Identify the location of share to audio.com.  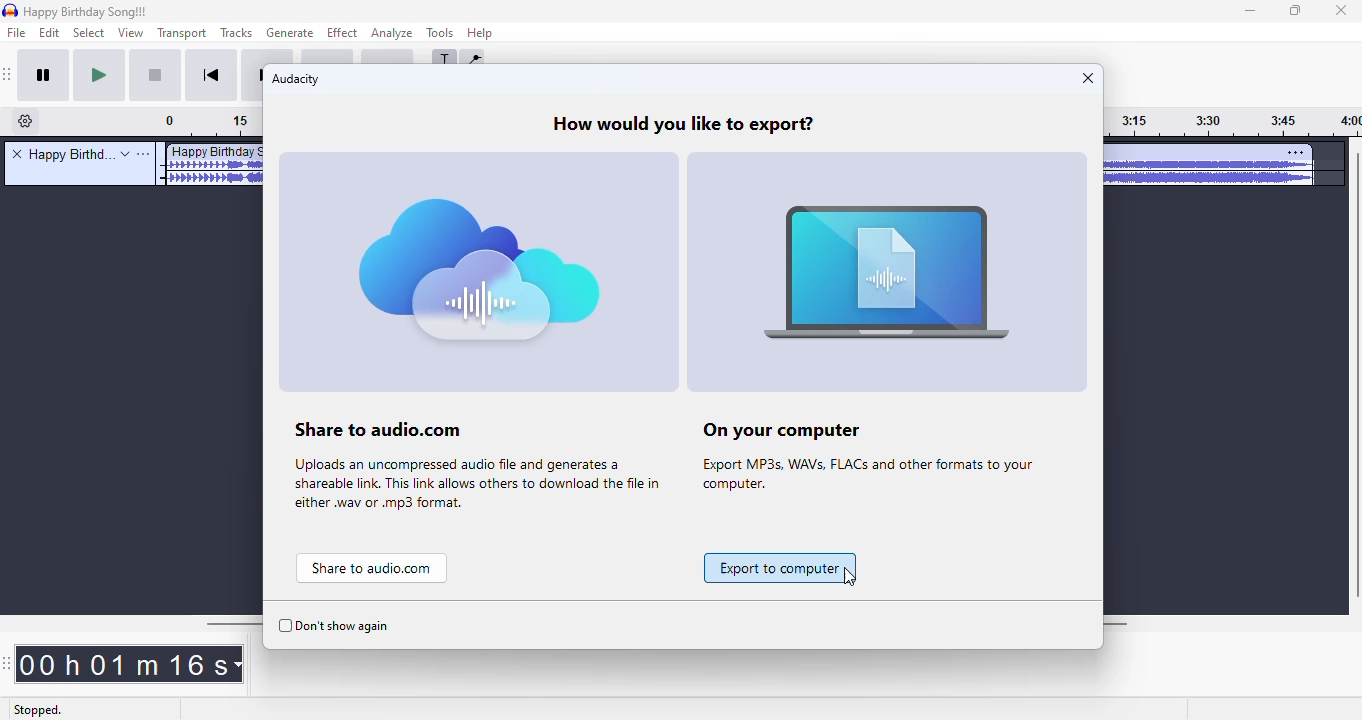
(372, 569).